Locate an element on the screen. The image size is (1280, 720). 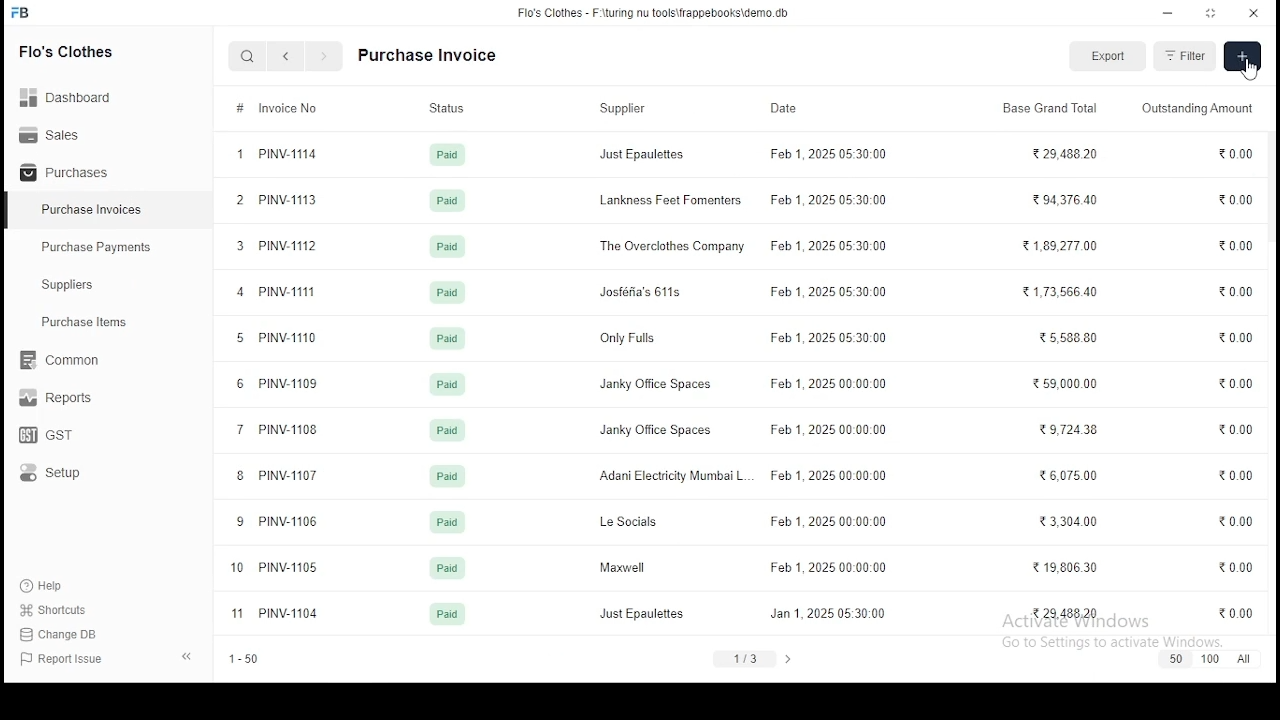
just epaulettes is located at coordinates (644, 155).